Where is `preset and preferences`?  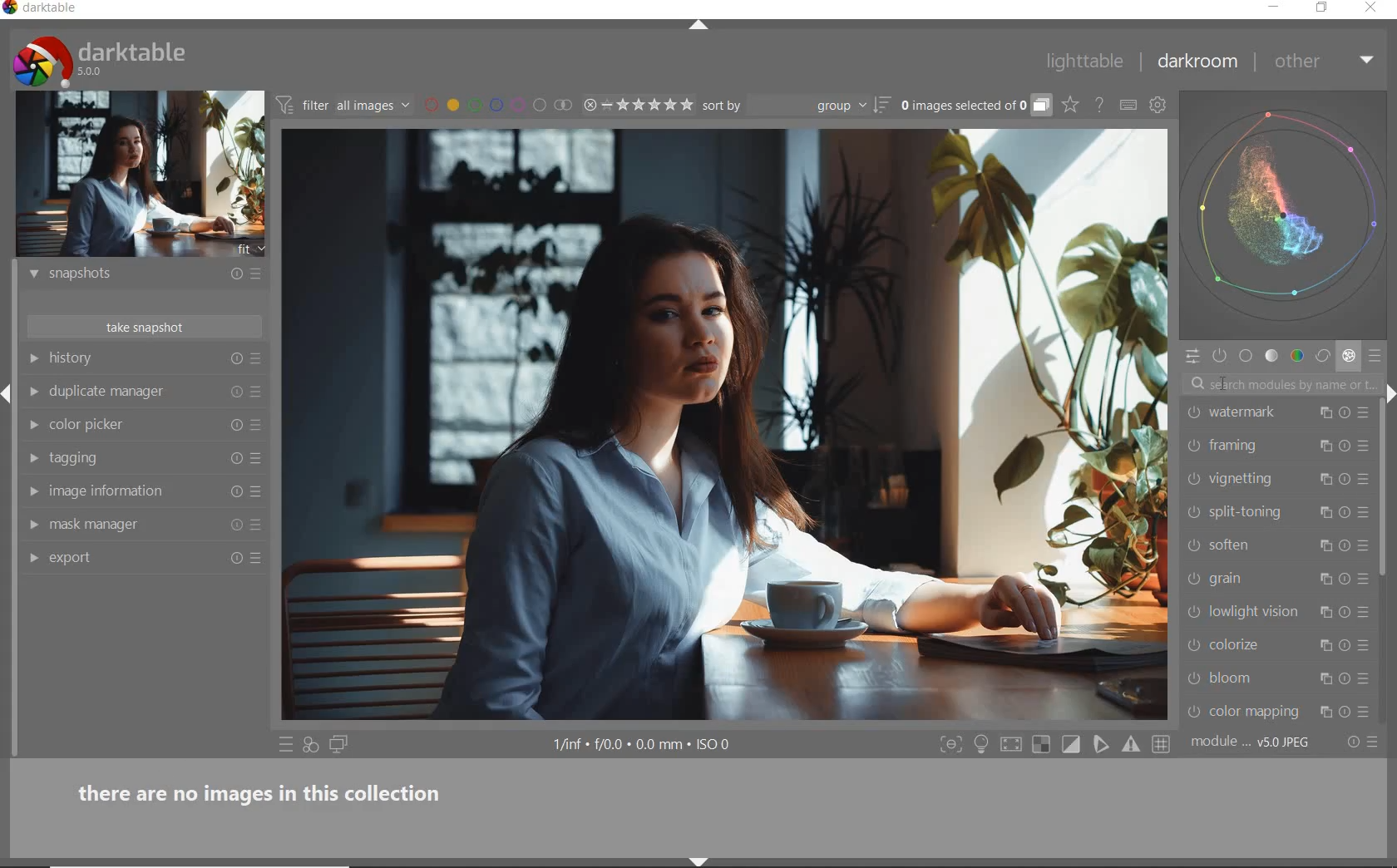
preset and preferences is located at coordinates (259, 459).